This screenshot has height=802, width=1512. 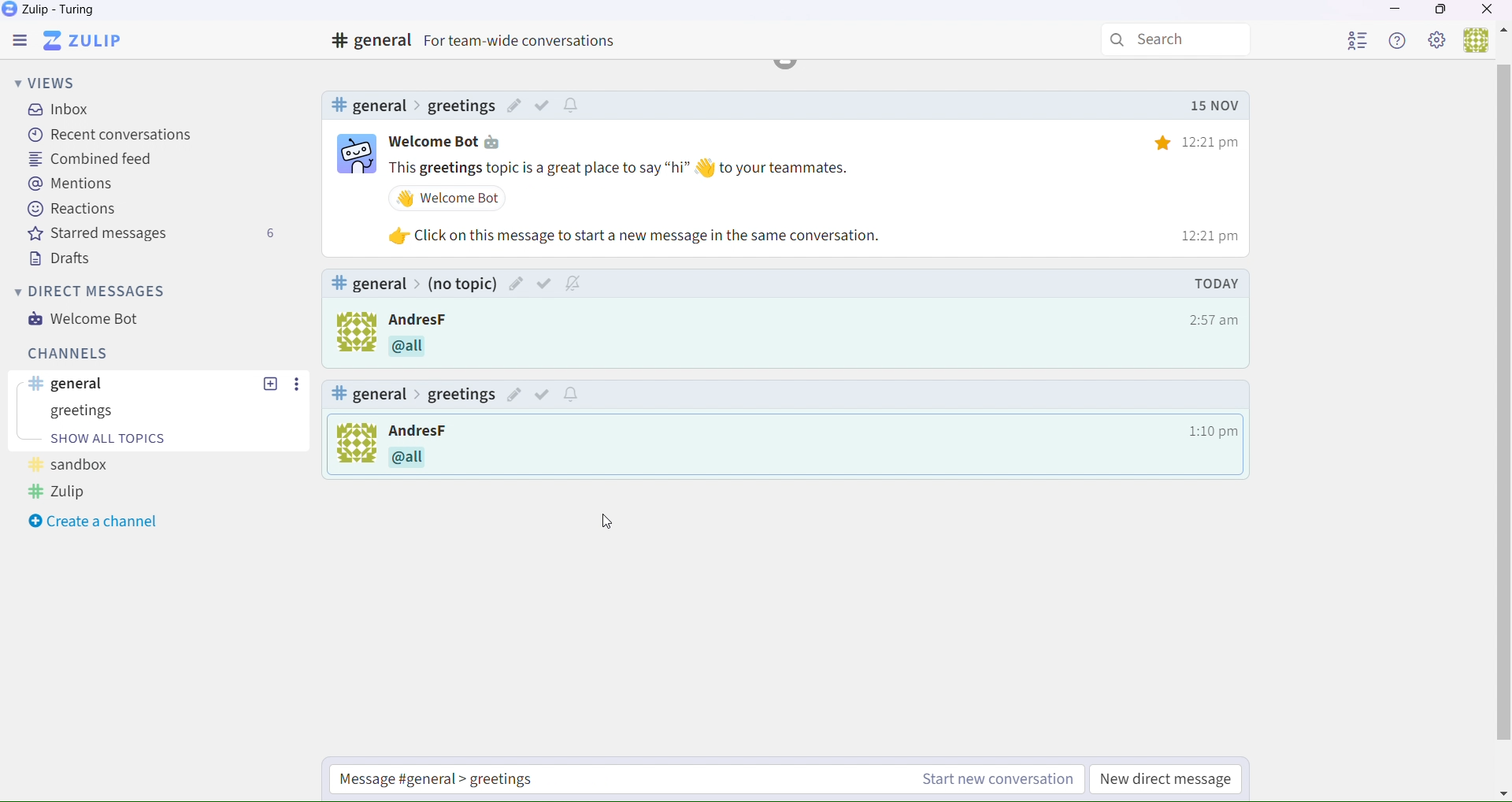 I want to click on , so click(x=1206, y=102).